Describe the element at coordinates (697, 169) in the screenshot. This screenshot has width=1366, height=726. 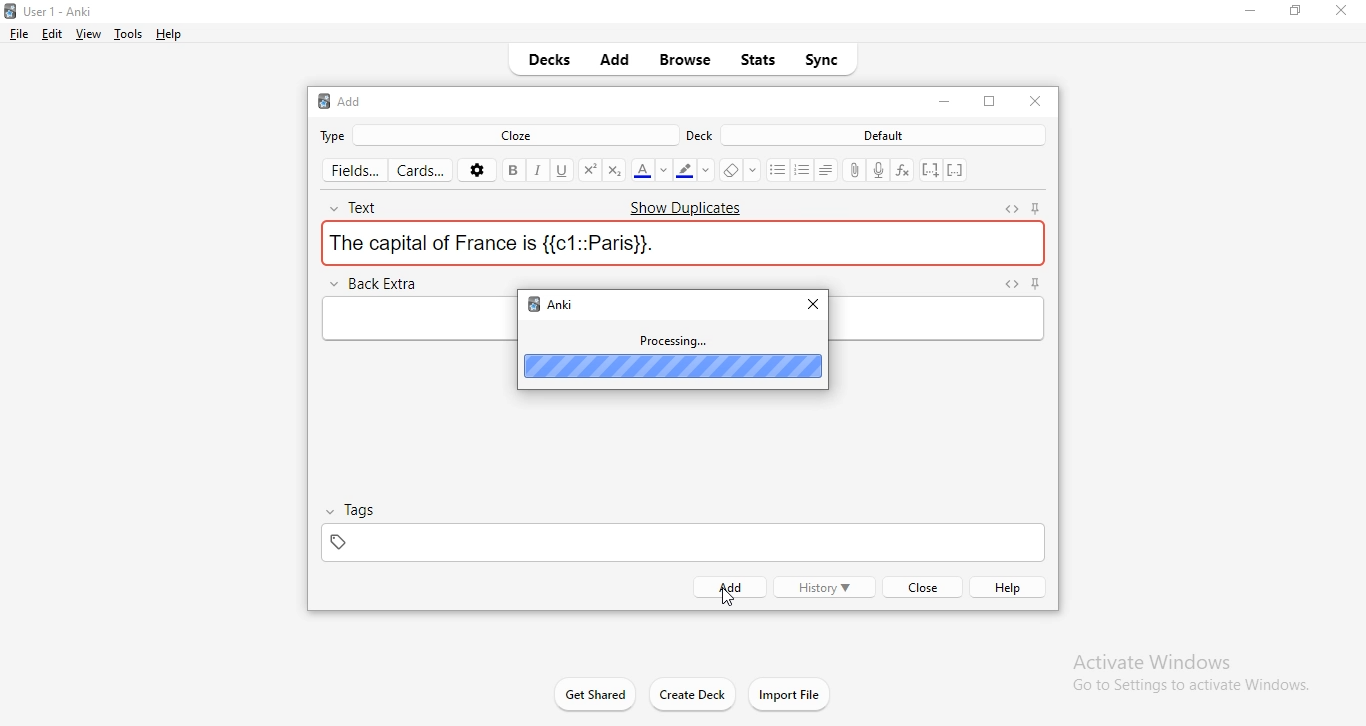
I see `font color` at that location.